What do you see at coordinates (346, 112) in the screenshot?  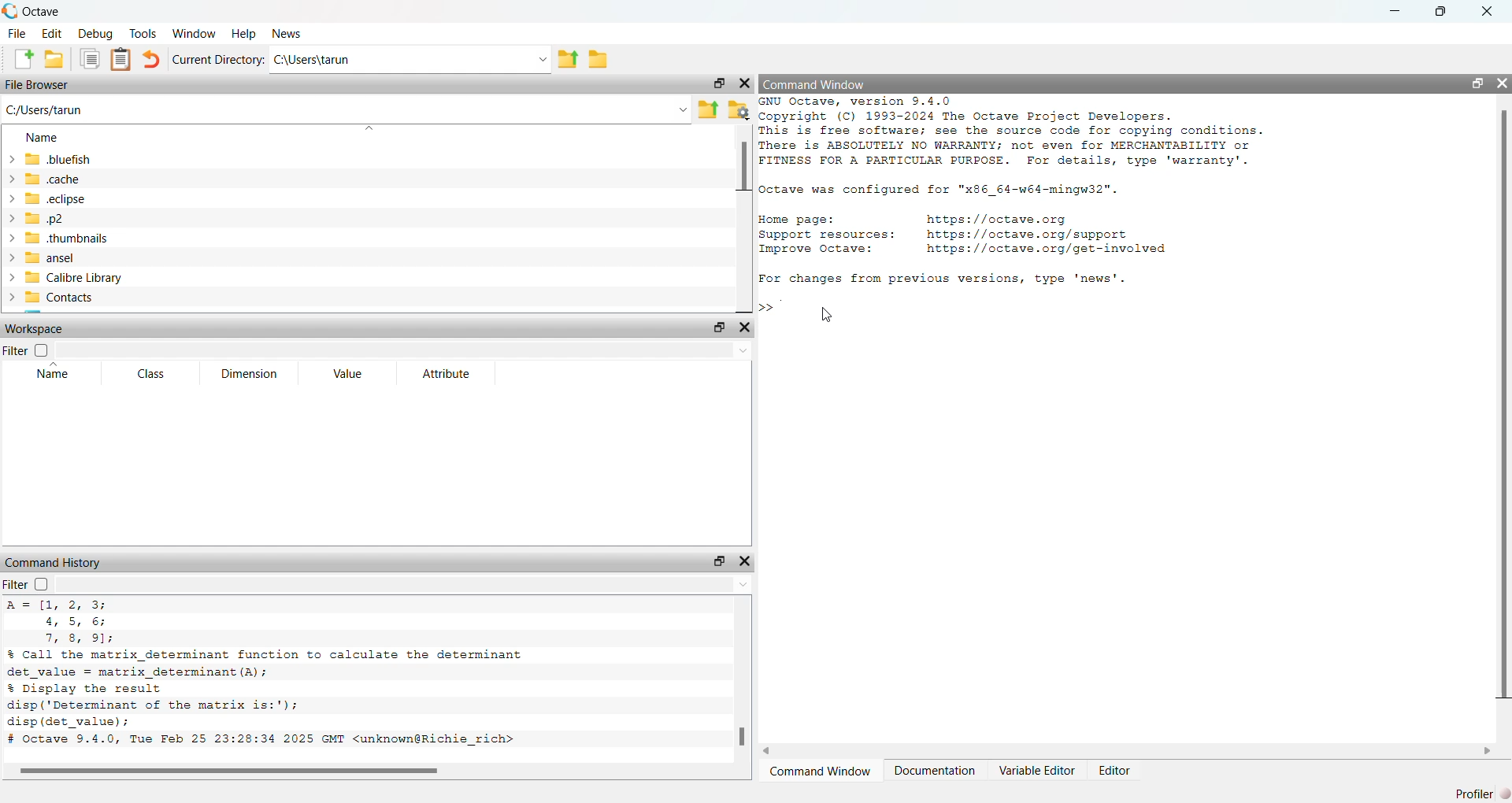 I see `C:/Users/tarun` at bounding box center [346, 112].